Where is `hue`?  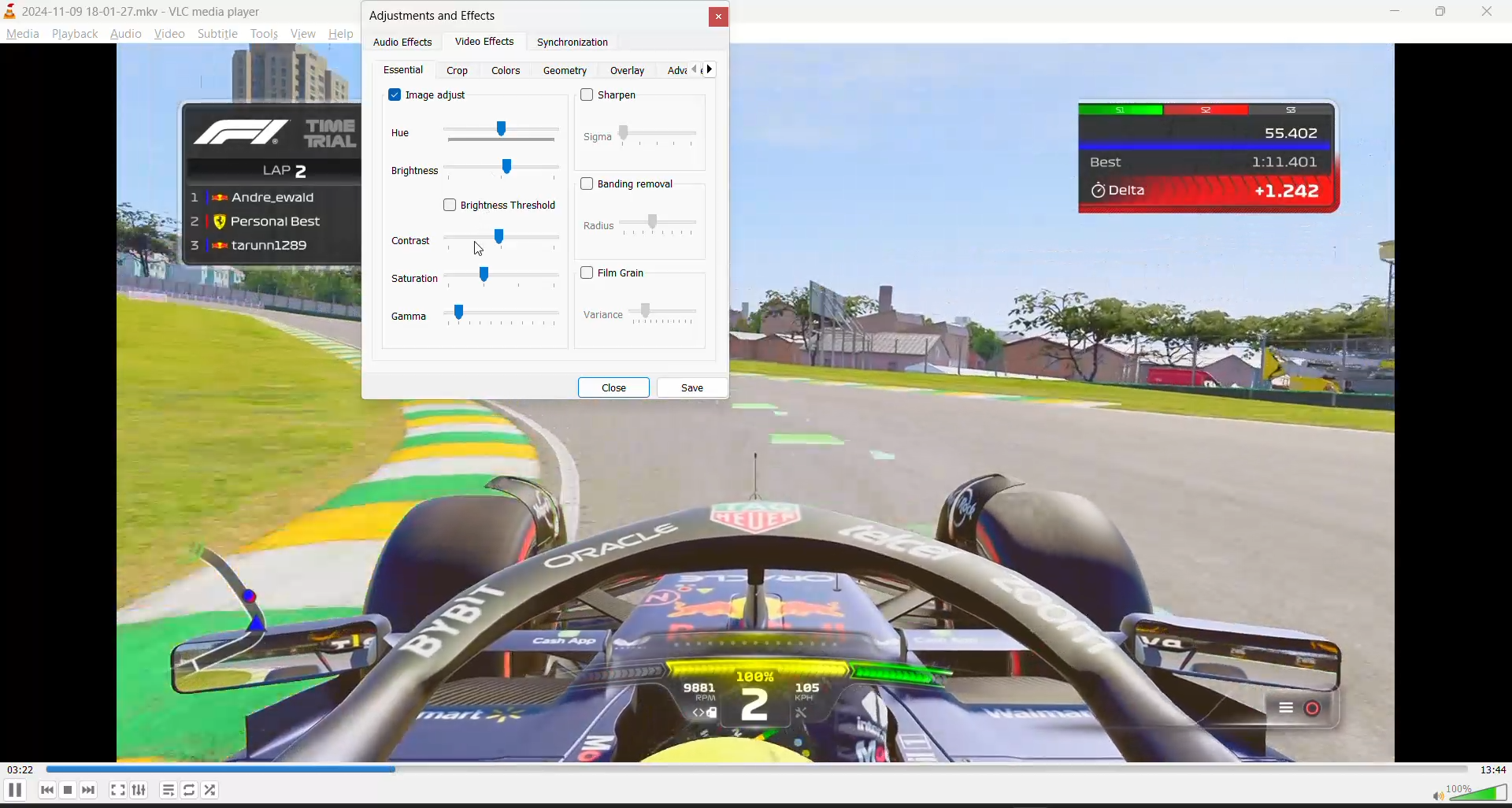
hue is located at coordinates (403, 134).